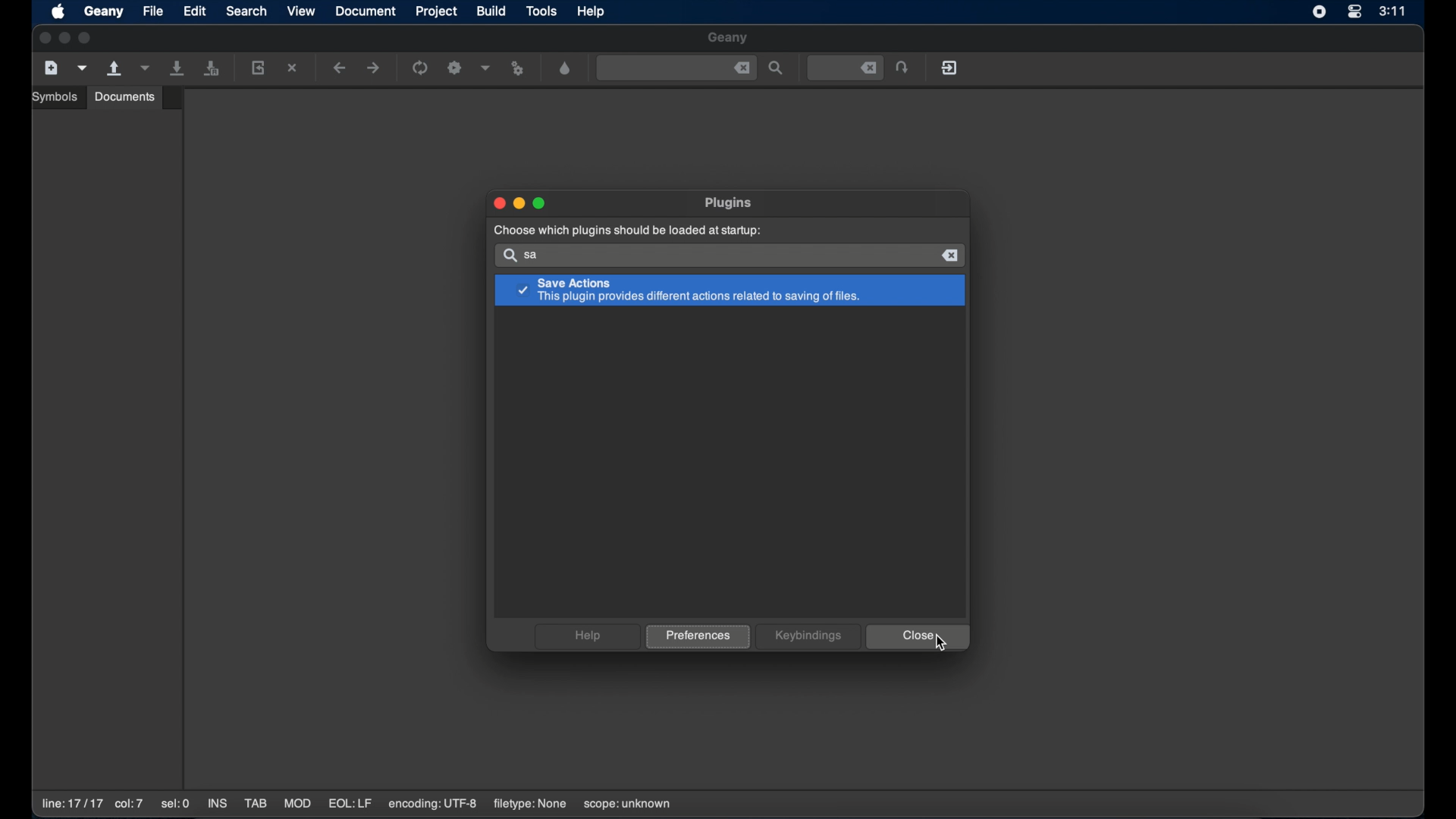  Describe the element at coordinates (566, 69) in the screenshot. I see `open a color chooser dialogue` at that location.